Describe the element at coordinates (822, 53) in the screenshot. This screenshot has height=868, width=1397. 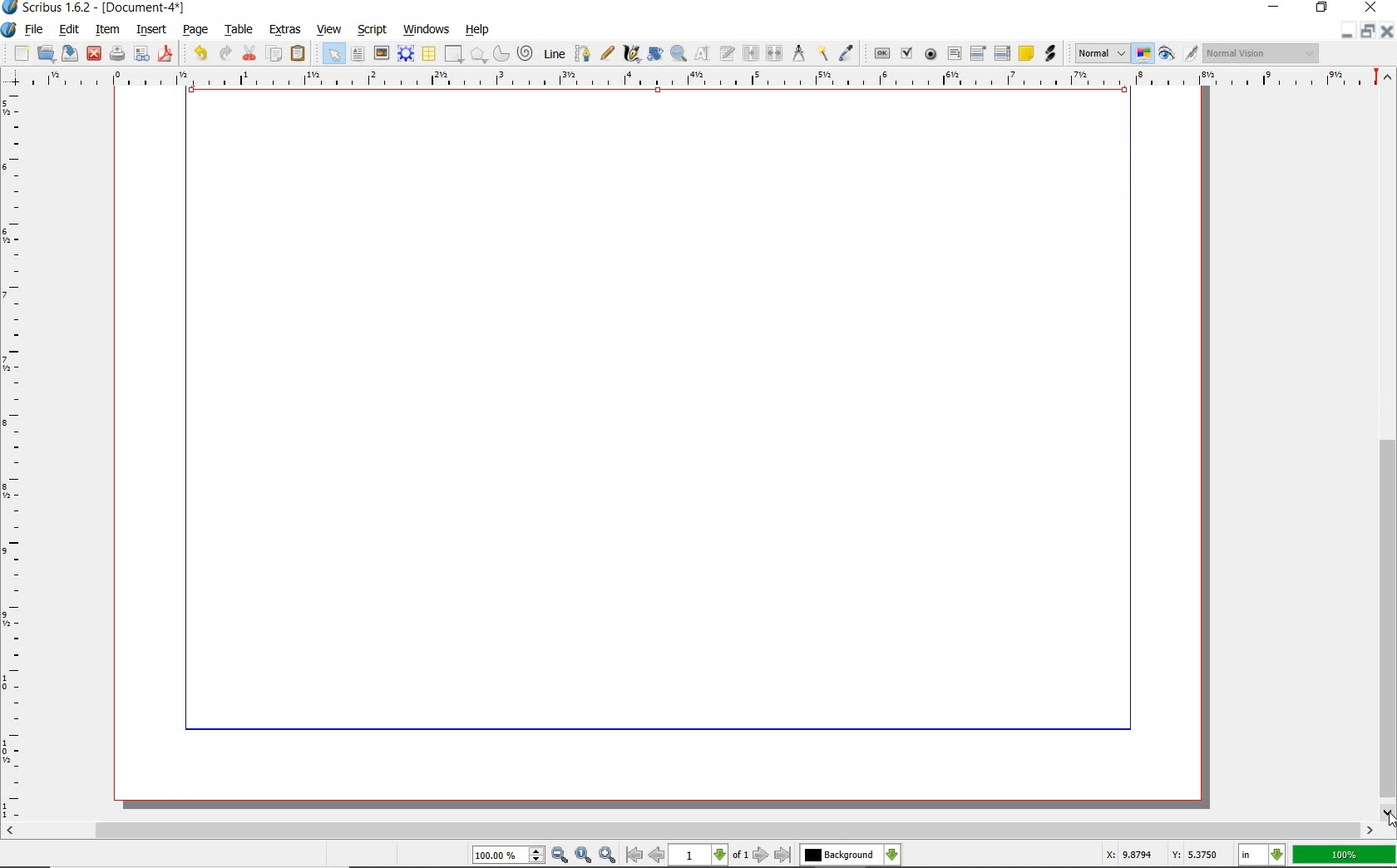
I see `copy item properties` at that location.